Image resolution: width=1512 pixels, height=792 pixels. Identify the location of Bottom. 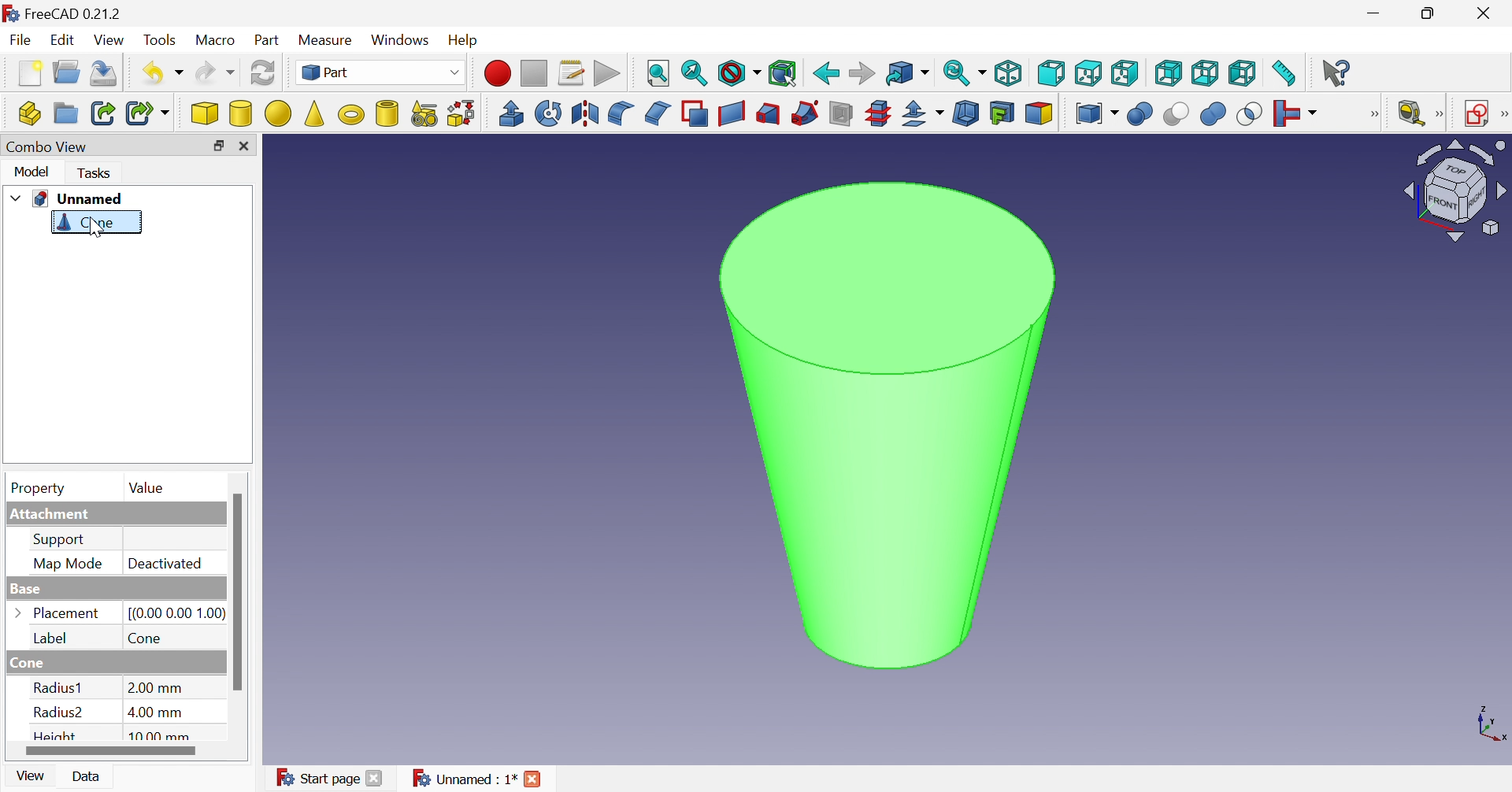
(1206, 73).